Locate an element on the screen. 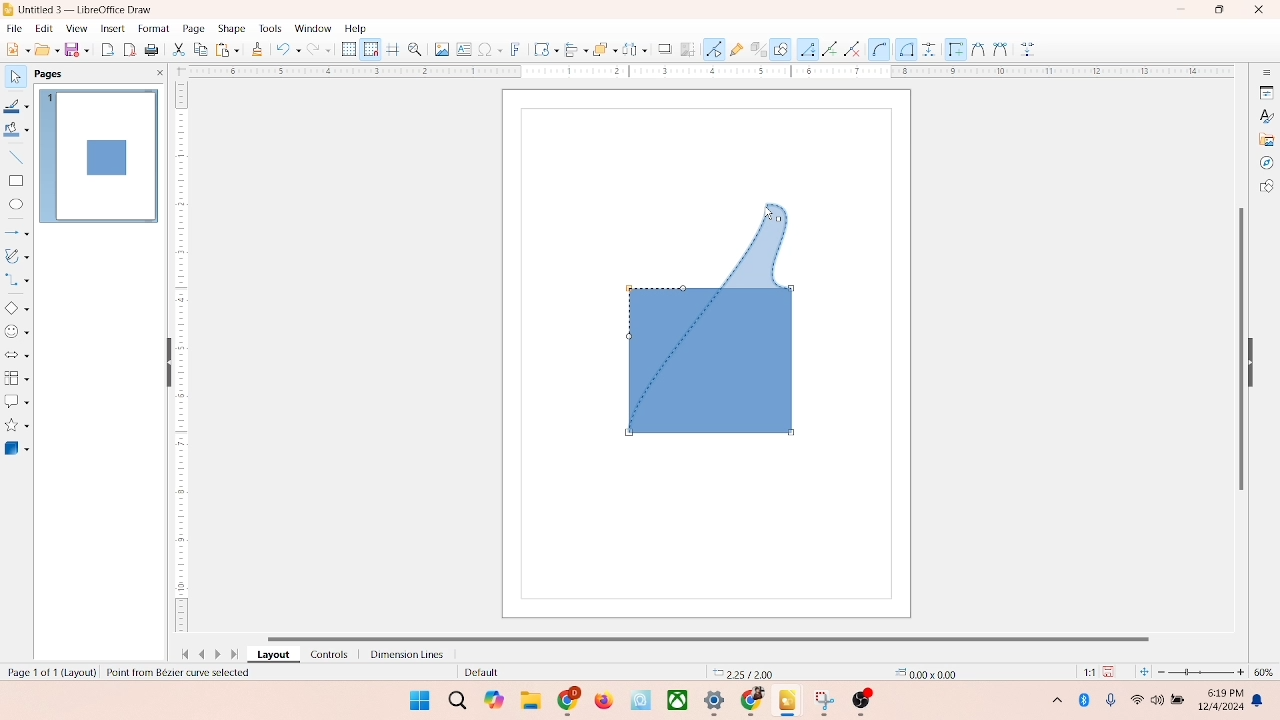 The height and width of the screenshot is (720, 1280). tools is located at coordinates (269, 28).